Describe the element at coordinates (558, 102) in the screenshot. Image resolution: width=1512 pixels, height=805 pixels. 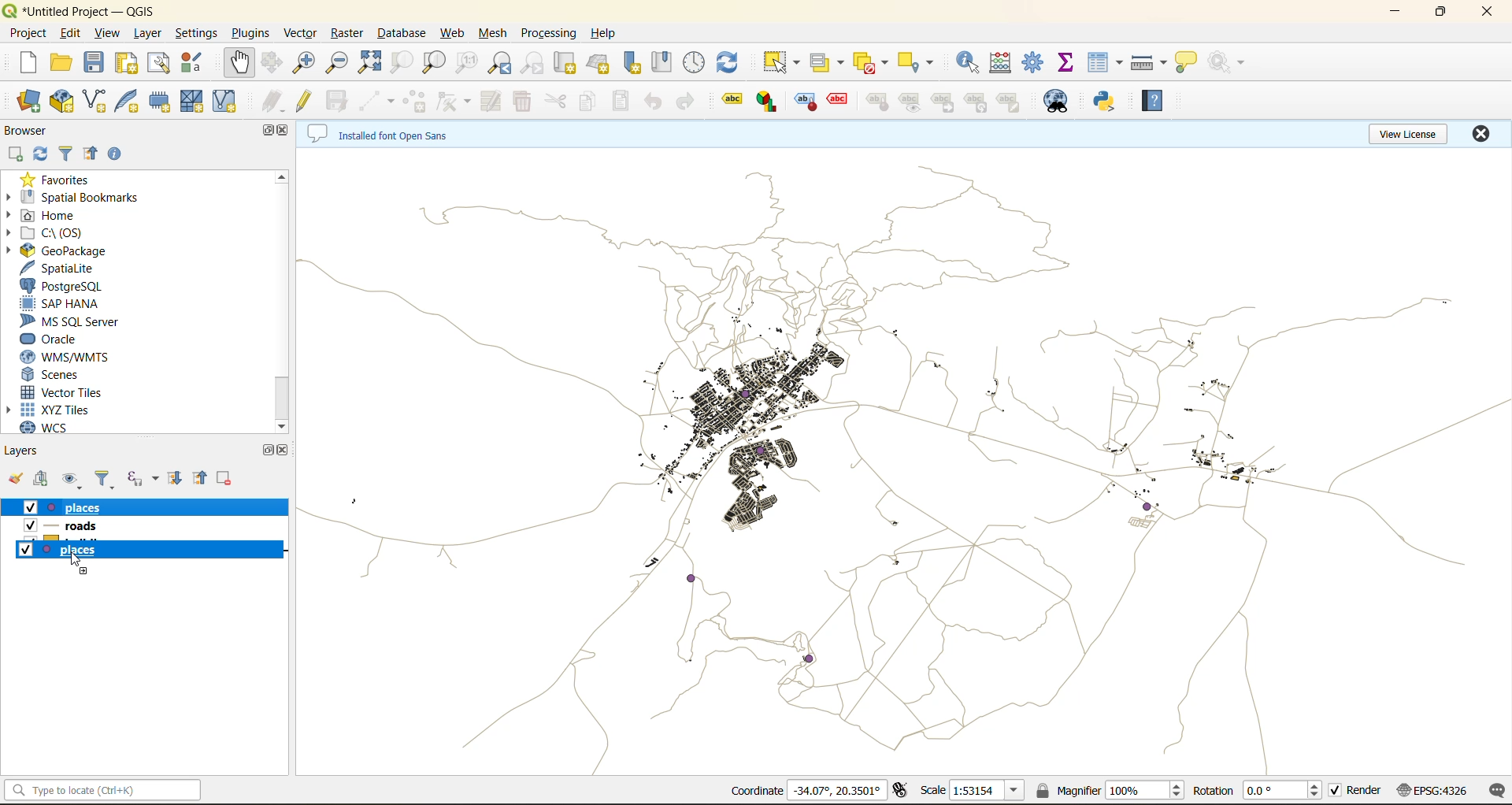
I see `cut` at that location.